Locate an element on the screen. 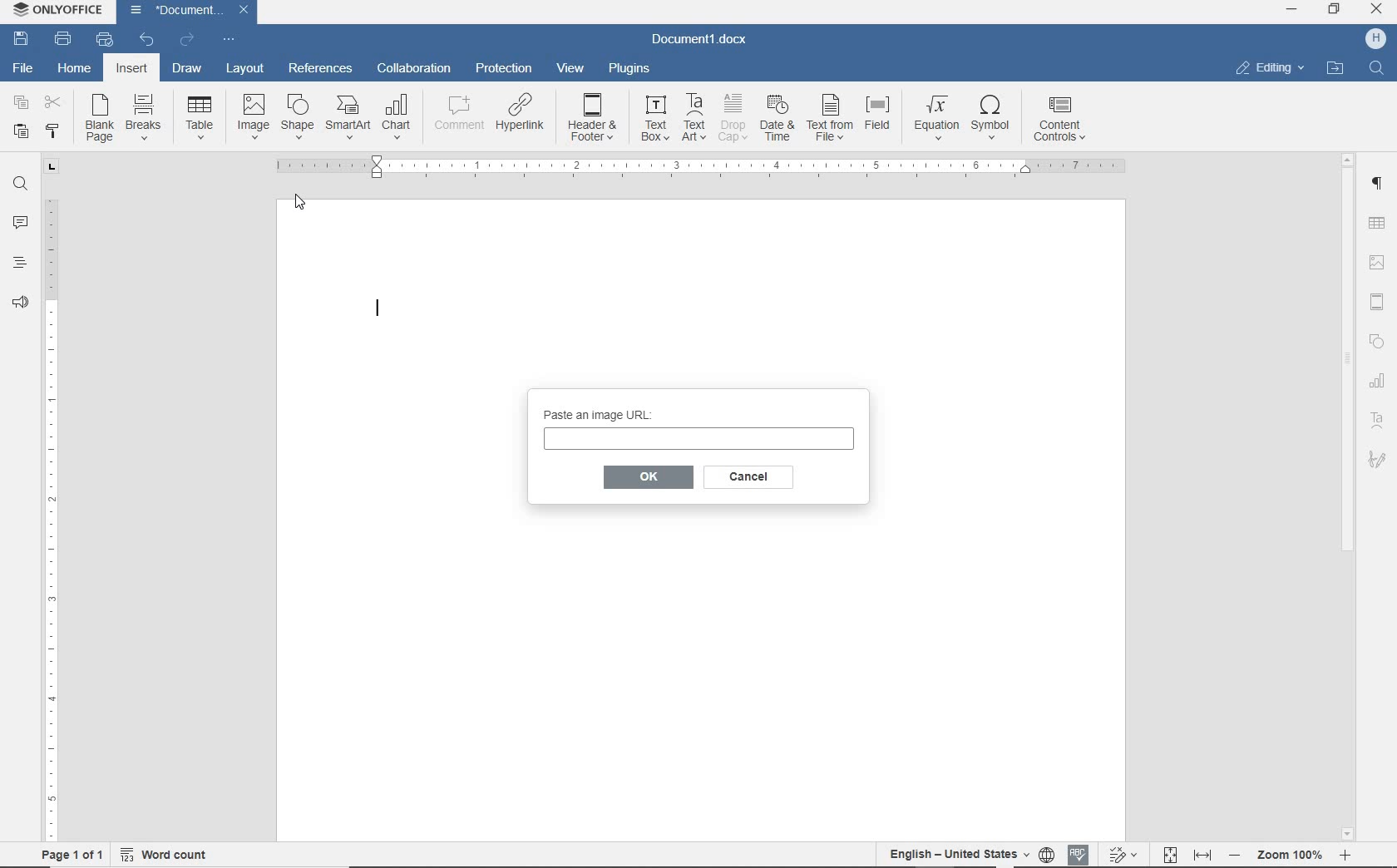  paste is located at coordinates (20, 133).